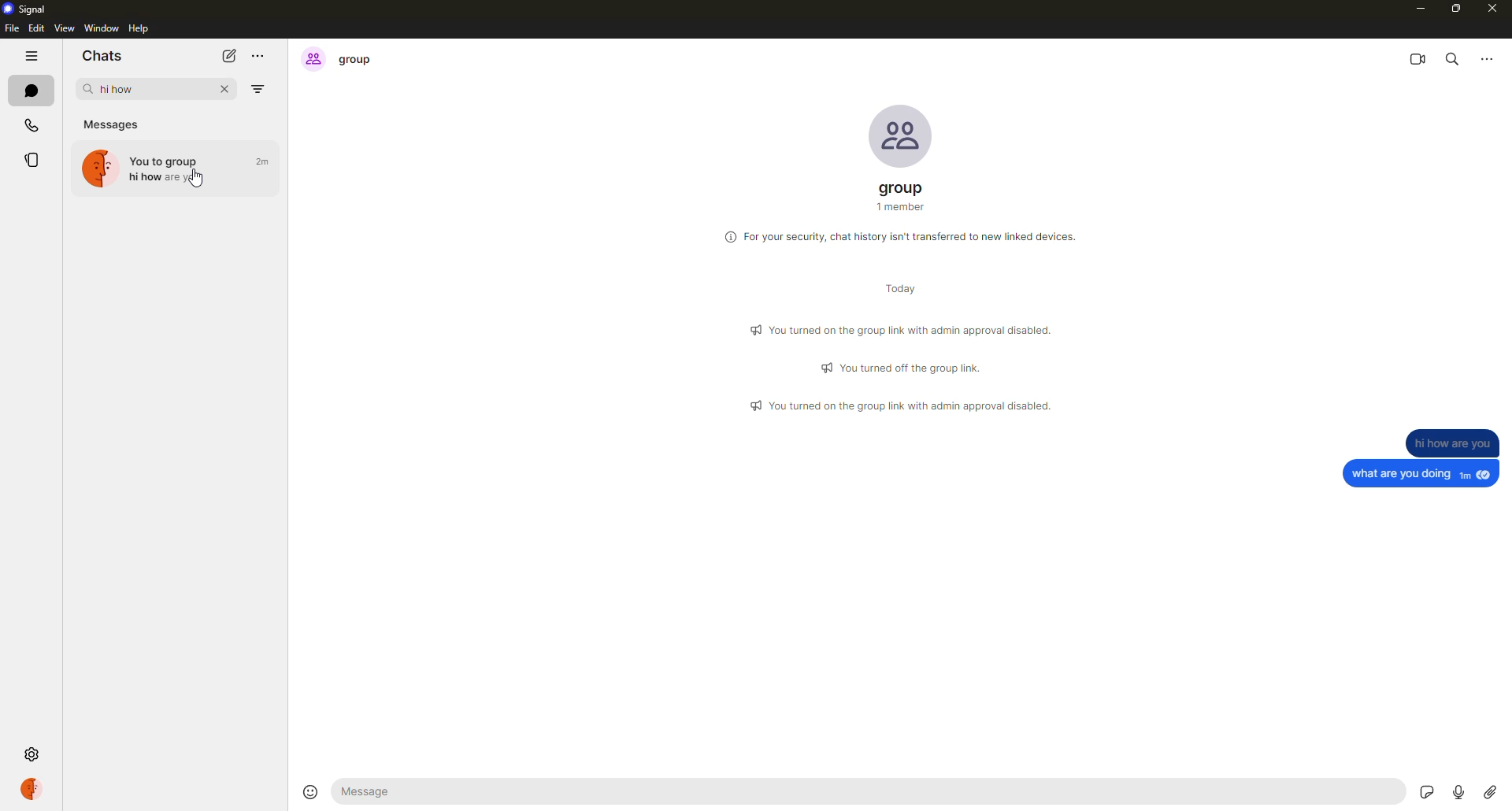  Describe the element at coordinates (905, 367) in the screenshot. I see `info` at that location.